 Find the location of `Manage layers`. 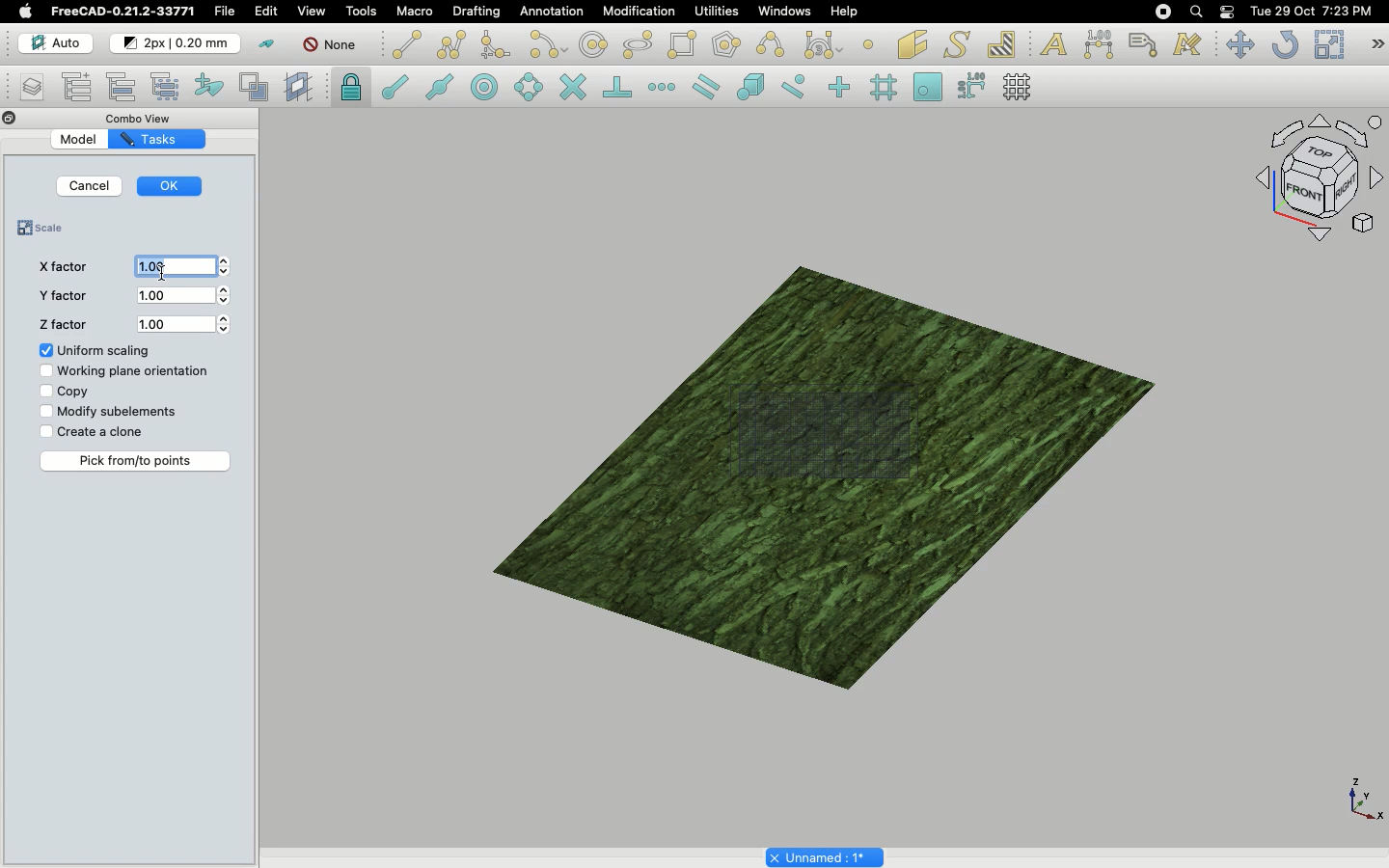

Manage layers is located at coordinates (25, 88).